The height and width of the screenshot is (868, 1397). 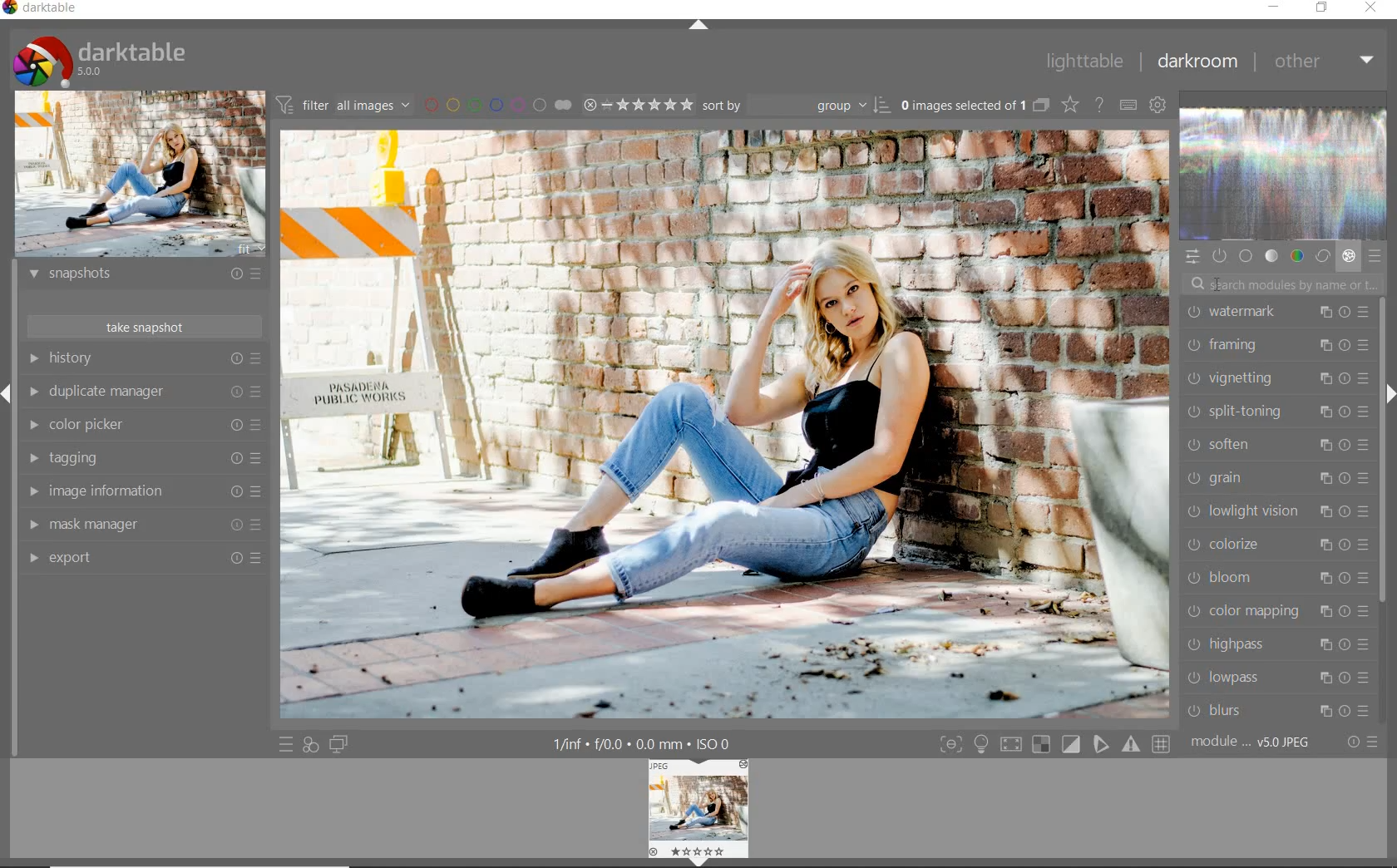 I want to click on colorize, so click(x=1275, y=547).